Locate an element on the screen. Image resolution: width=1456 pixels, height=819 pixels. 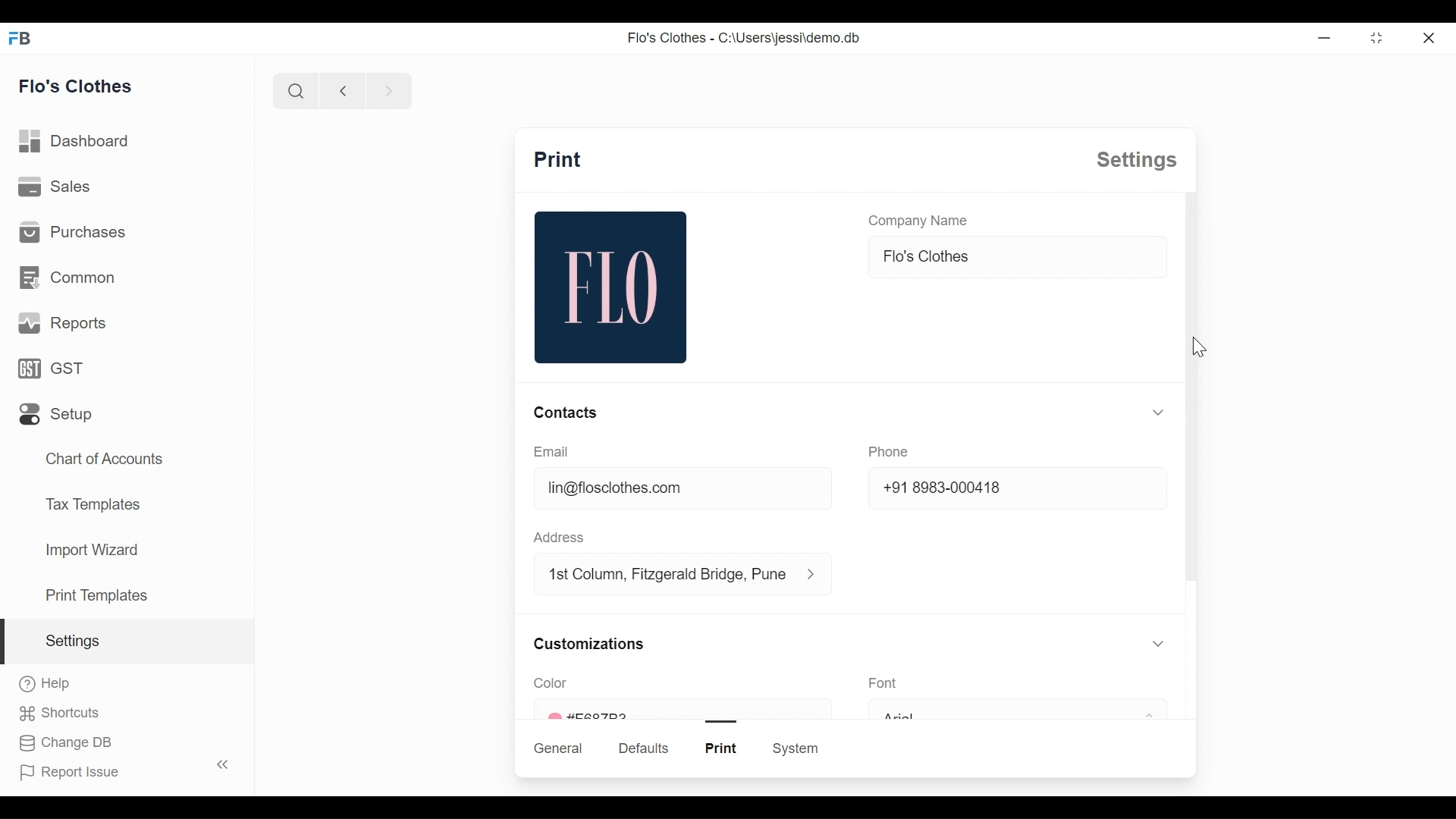
phone is located at coordinates (889, 452).